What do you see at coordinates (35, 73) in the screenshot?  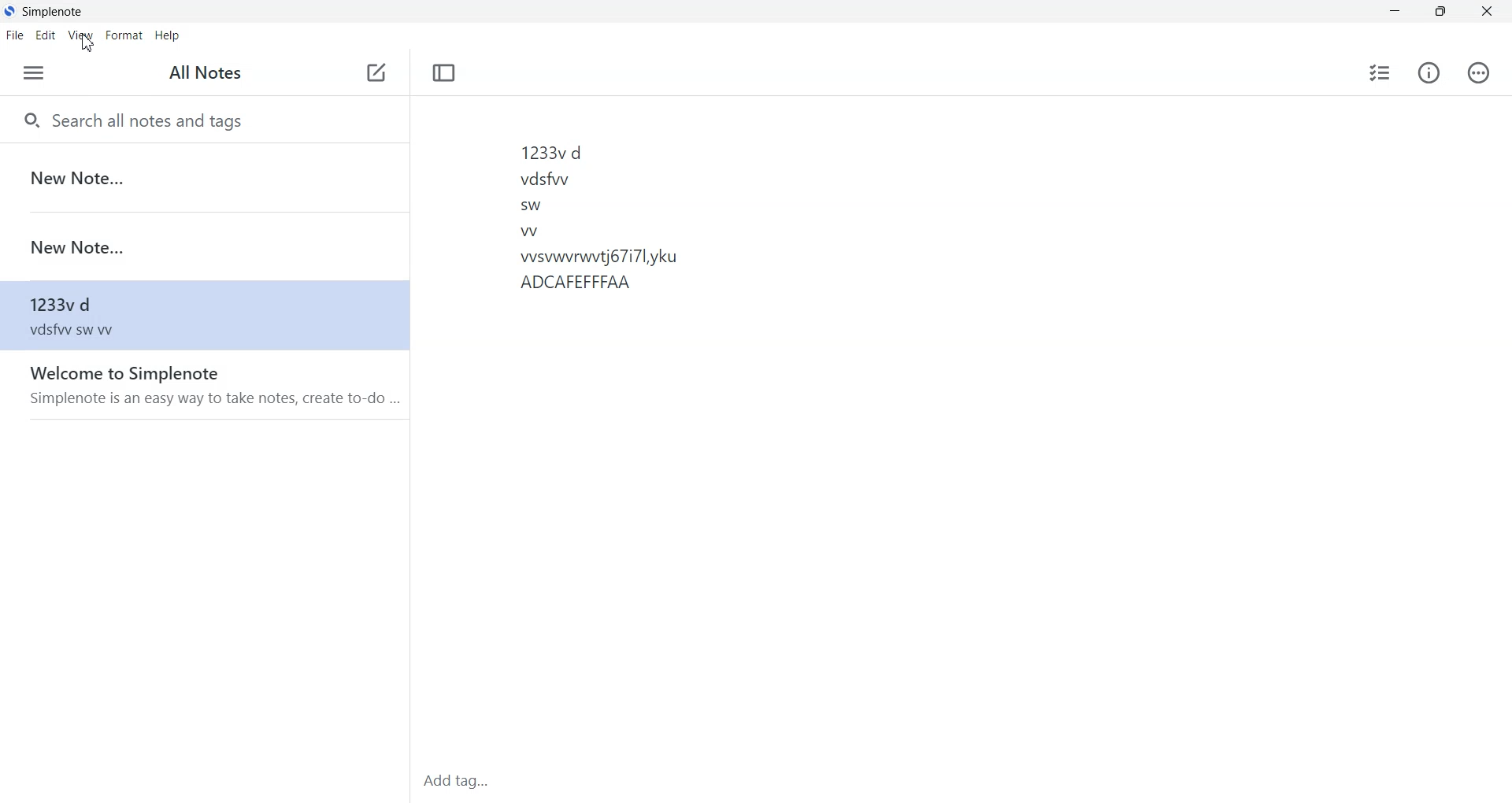 I see `Menu` at bounding box center [35, 73].